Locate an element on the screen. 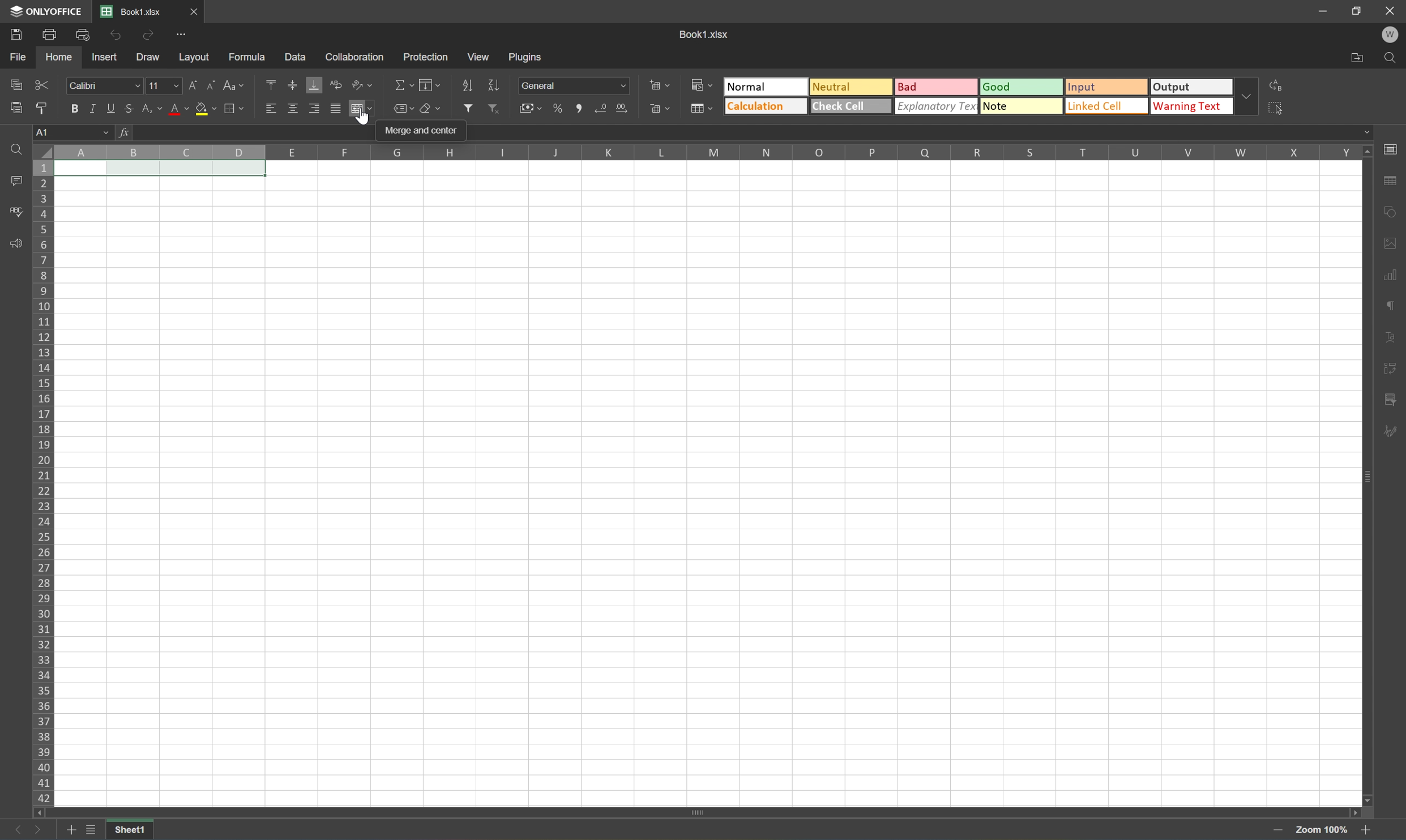 This screenshot has width=1406, height=840. Increase decimal is located at coordinates (623, 109).